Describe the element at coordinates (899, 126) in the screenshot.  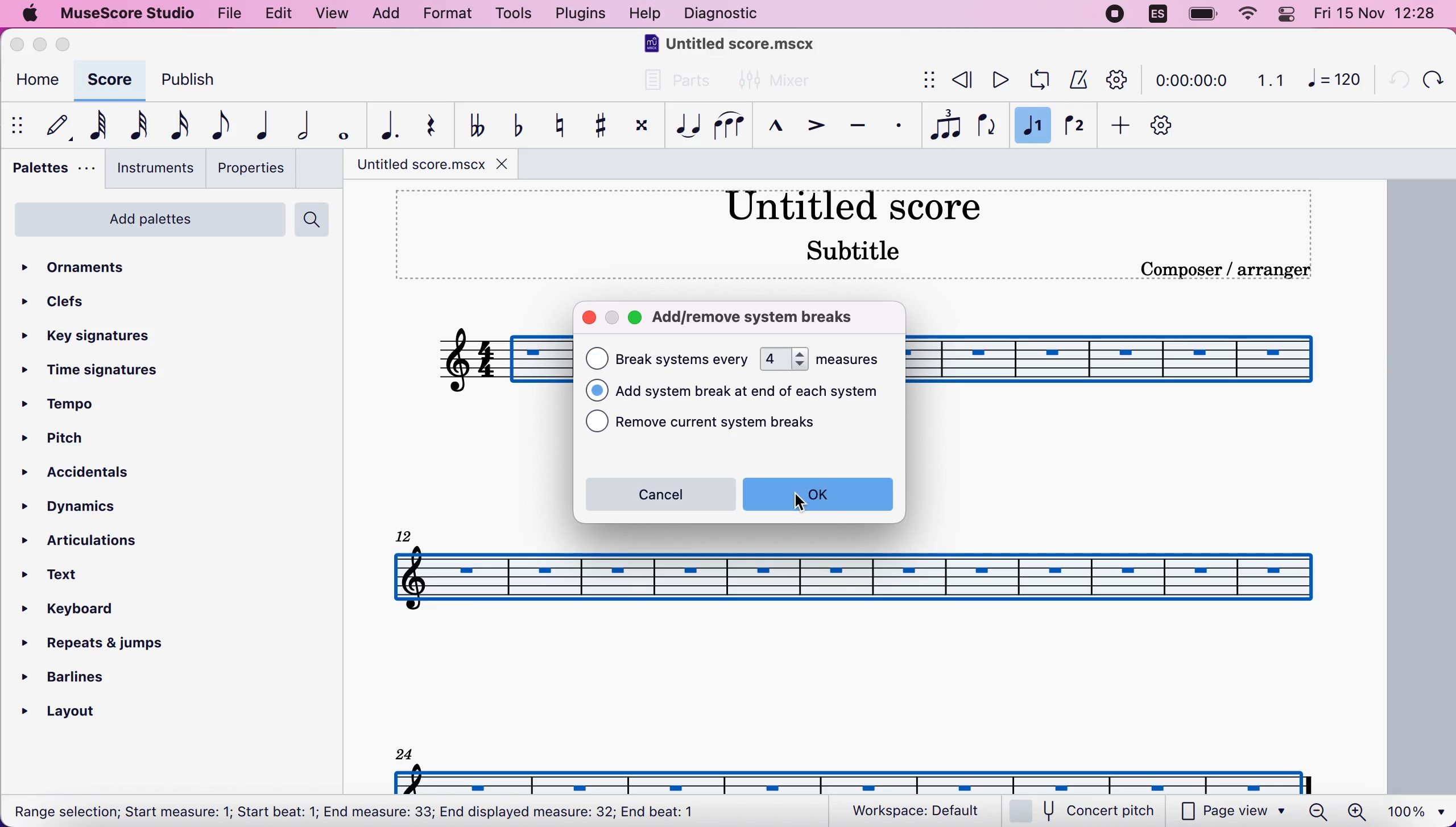
I see `staccato` at that location.